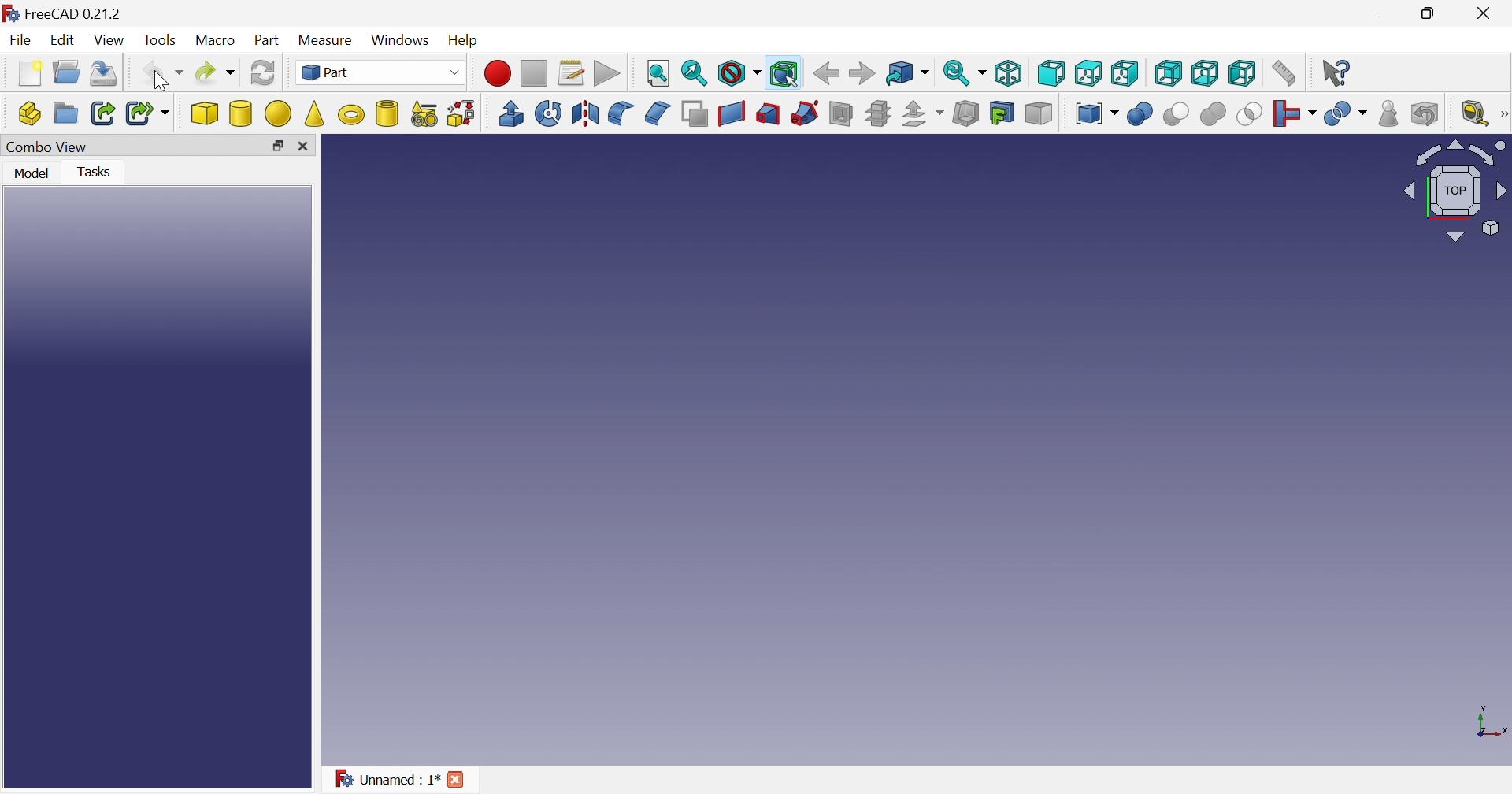 The image size is (1512, 794). Describe the element at coordinates (20, 39) in the screenshot. I see `File` at that location.